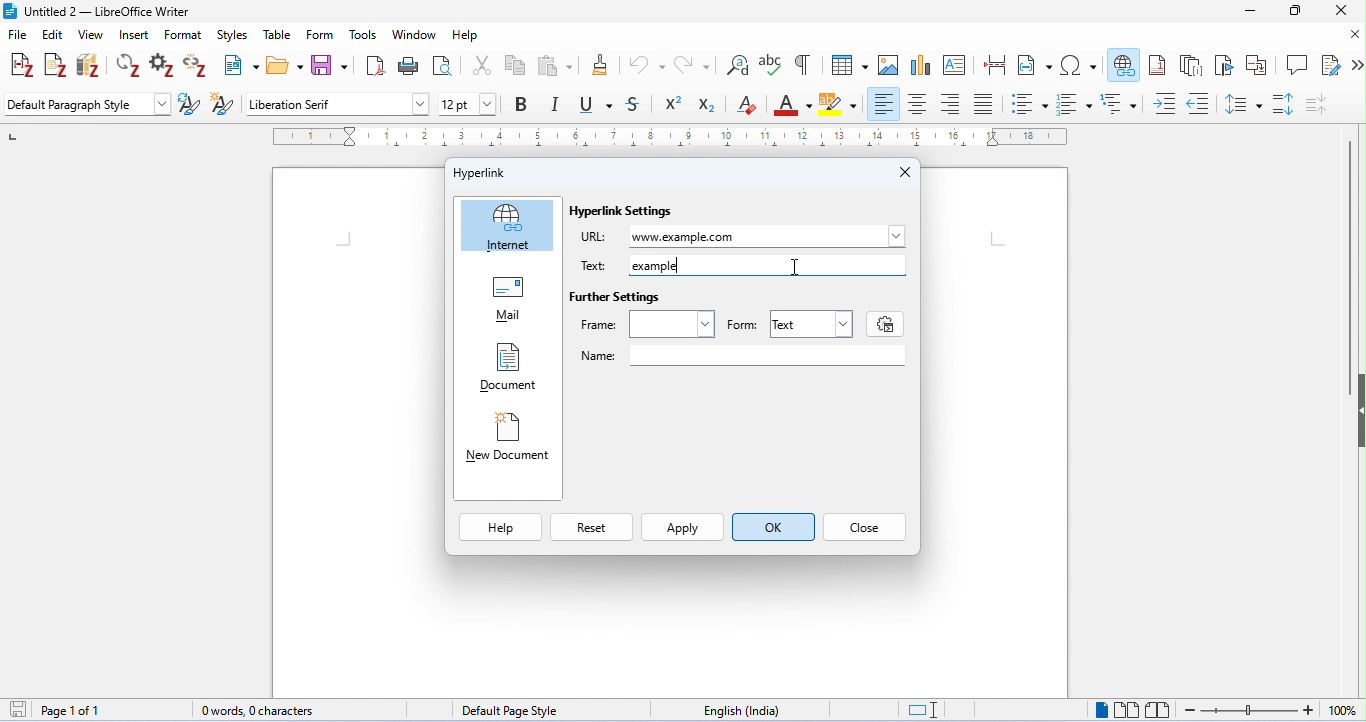 The height and width of the screenshot is (722, 1366). Describe the element at coordinates (275, 33) in the screenshot. I see `table` at that location.